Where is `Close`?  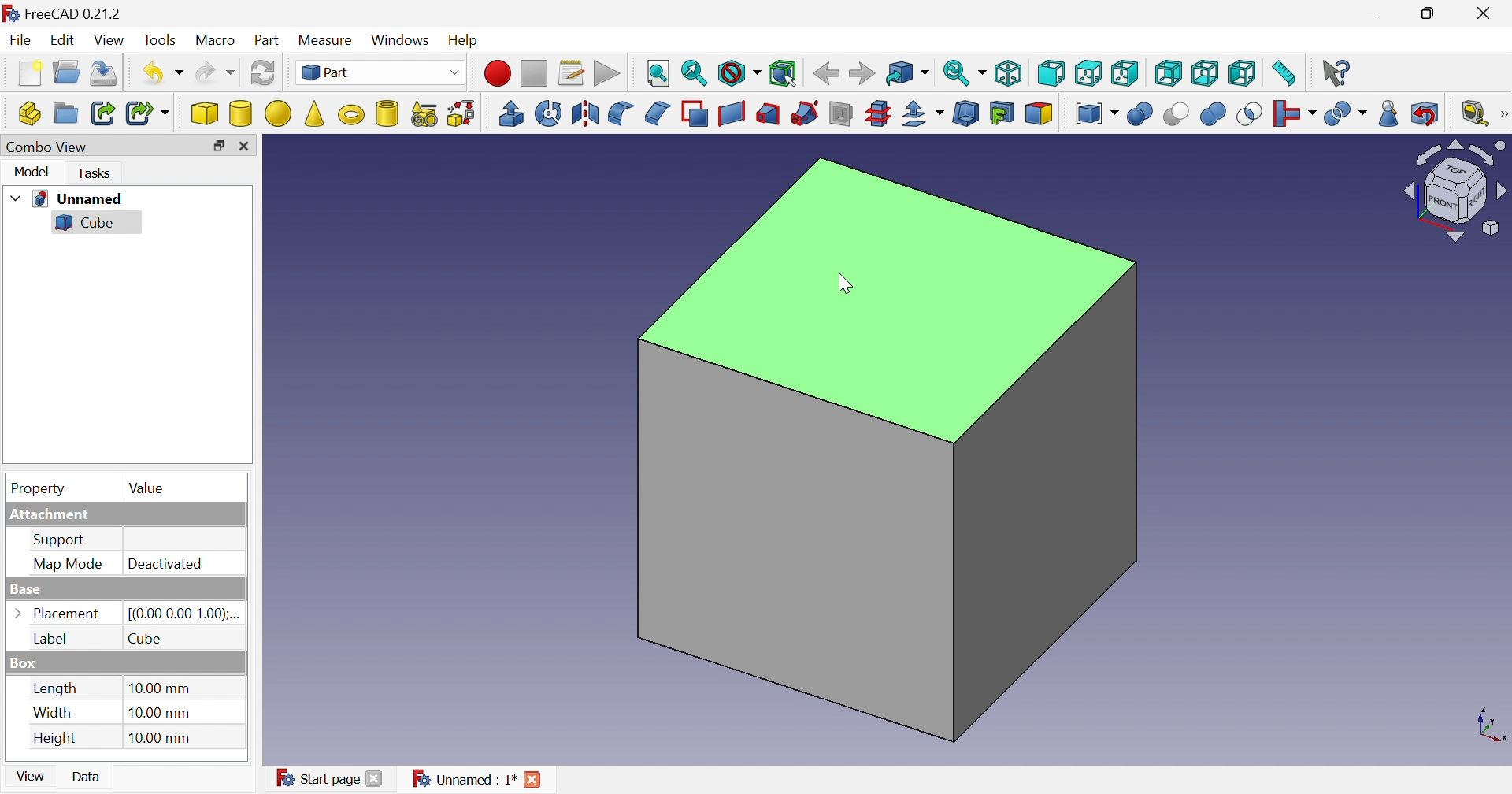
Close is located at coordinates (1486, 13).